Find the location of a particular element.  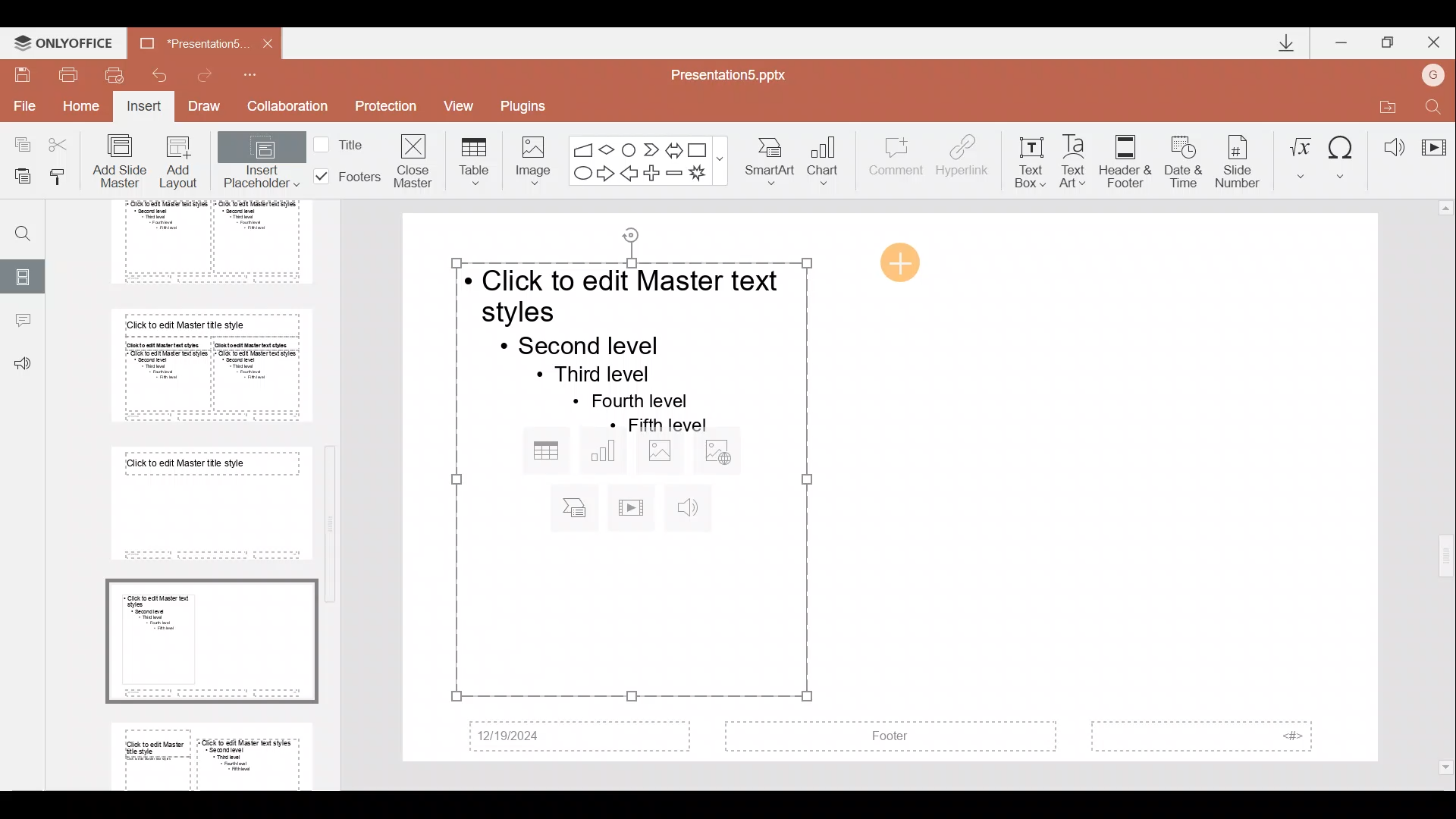

Footers is located at coordinates (345, 177).